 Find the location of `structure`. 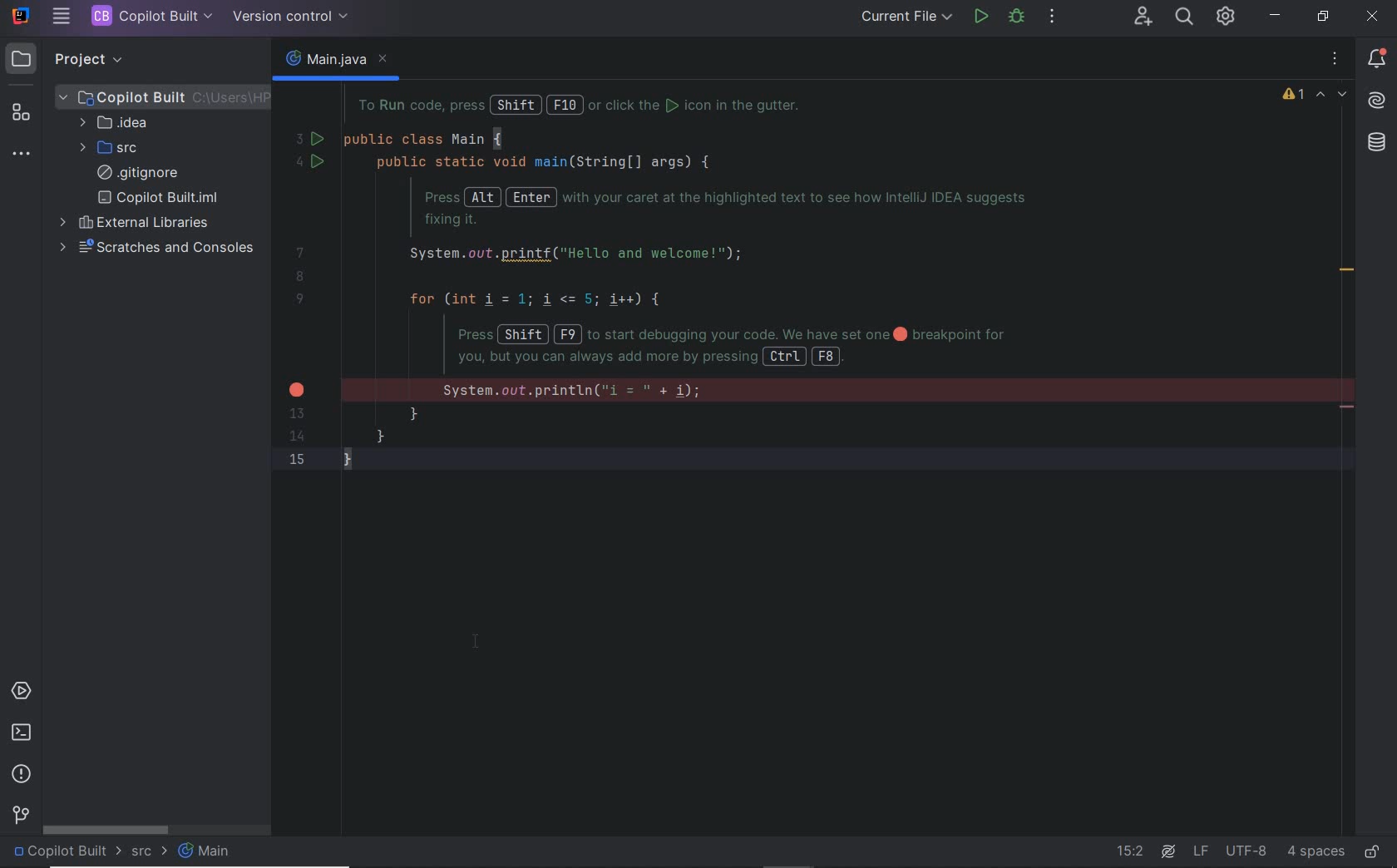

structure is located at coordinates (23, 116).